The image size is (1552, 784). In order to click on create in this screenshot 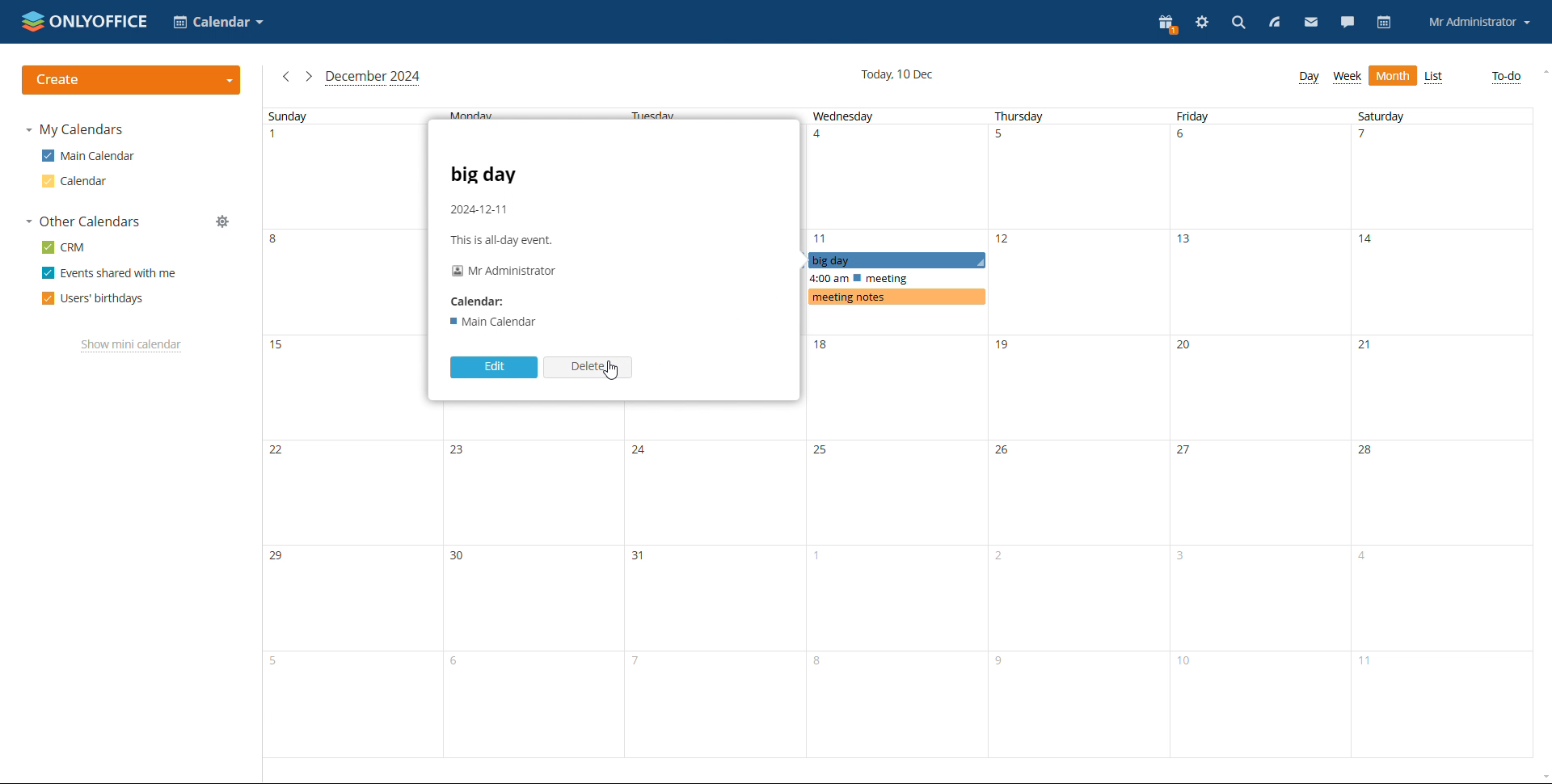, I will do `click(132, 80)`.